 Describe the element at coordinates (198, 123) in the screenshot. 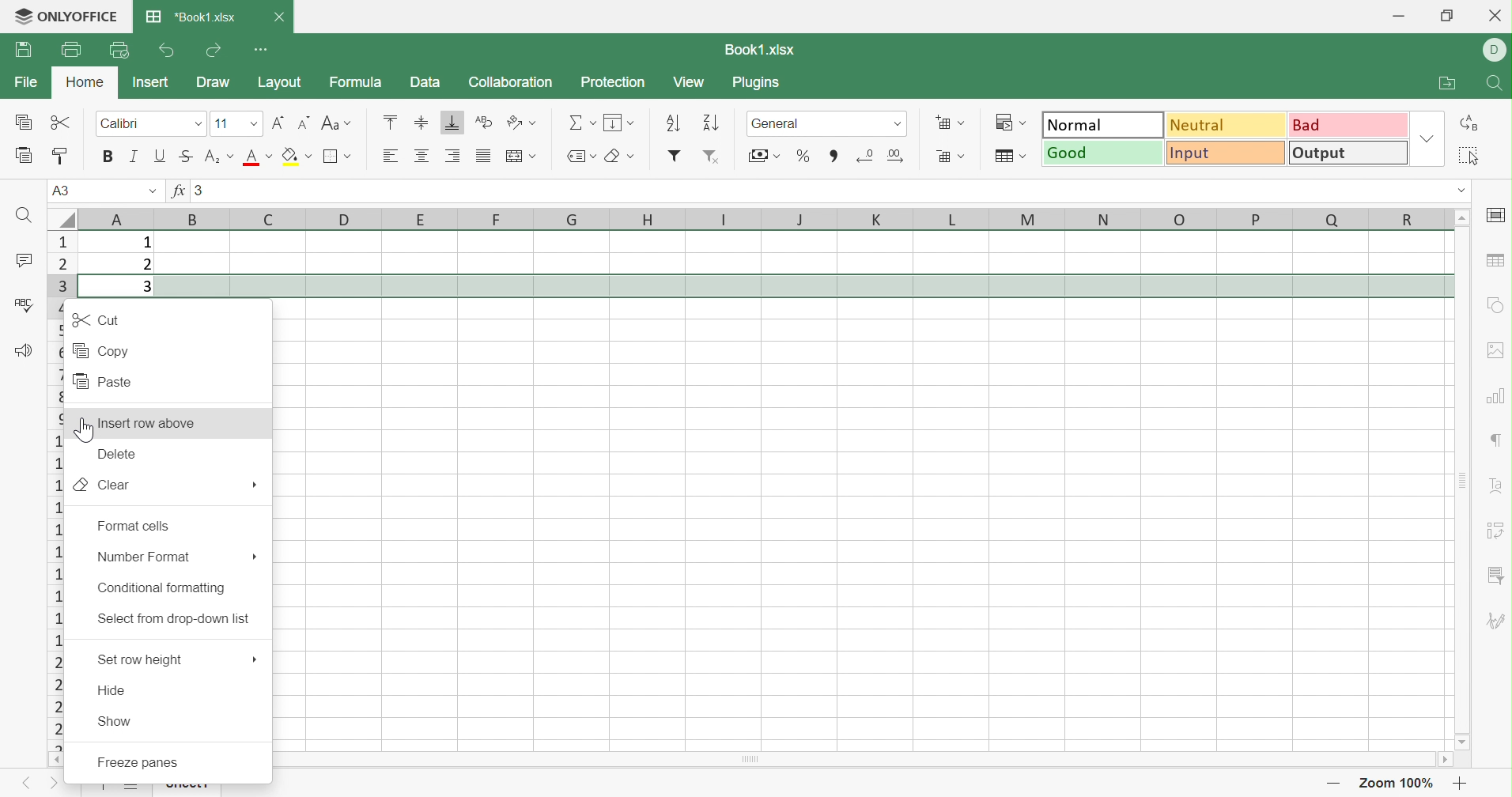

I see `Drop Down` at that location.